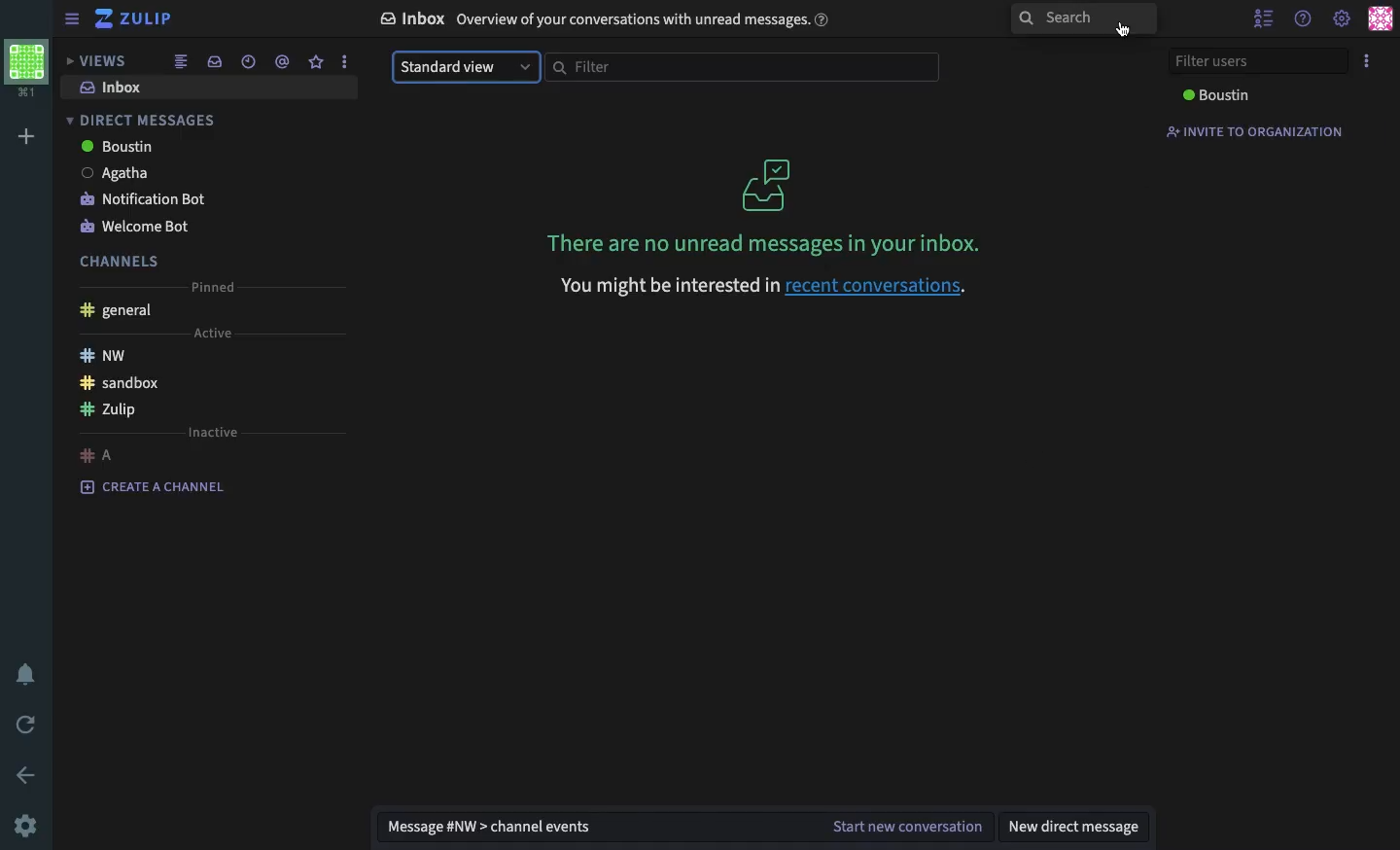  What do you see at coordinates (497, 827) in the screenshot?
I see `message nw channel events` at bounding box center [497, 827].